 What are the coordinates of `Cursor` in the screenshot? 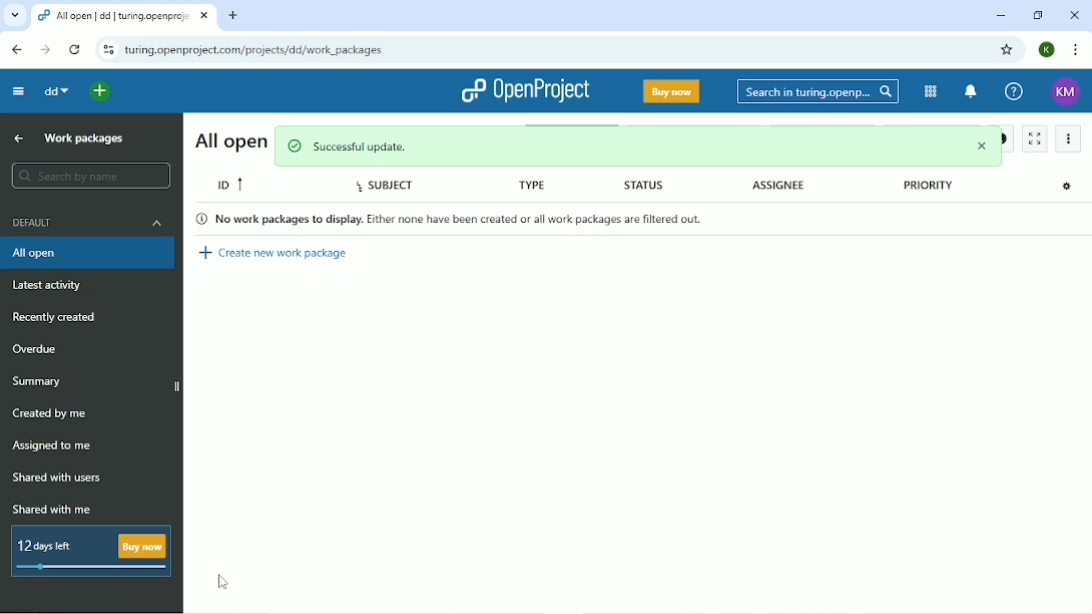 It's located at (223, 582).